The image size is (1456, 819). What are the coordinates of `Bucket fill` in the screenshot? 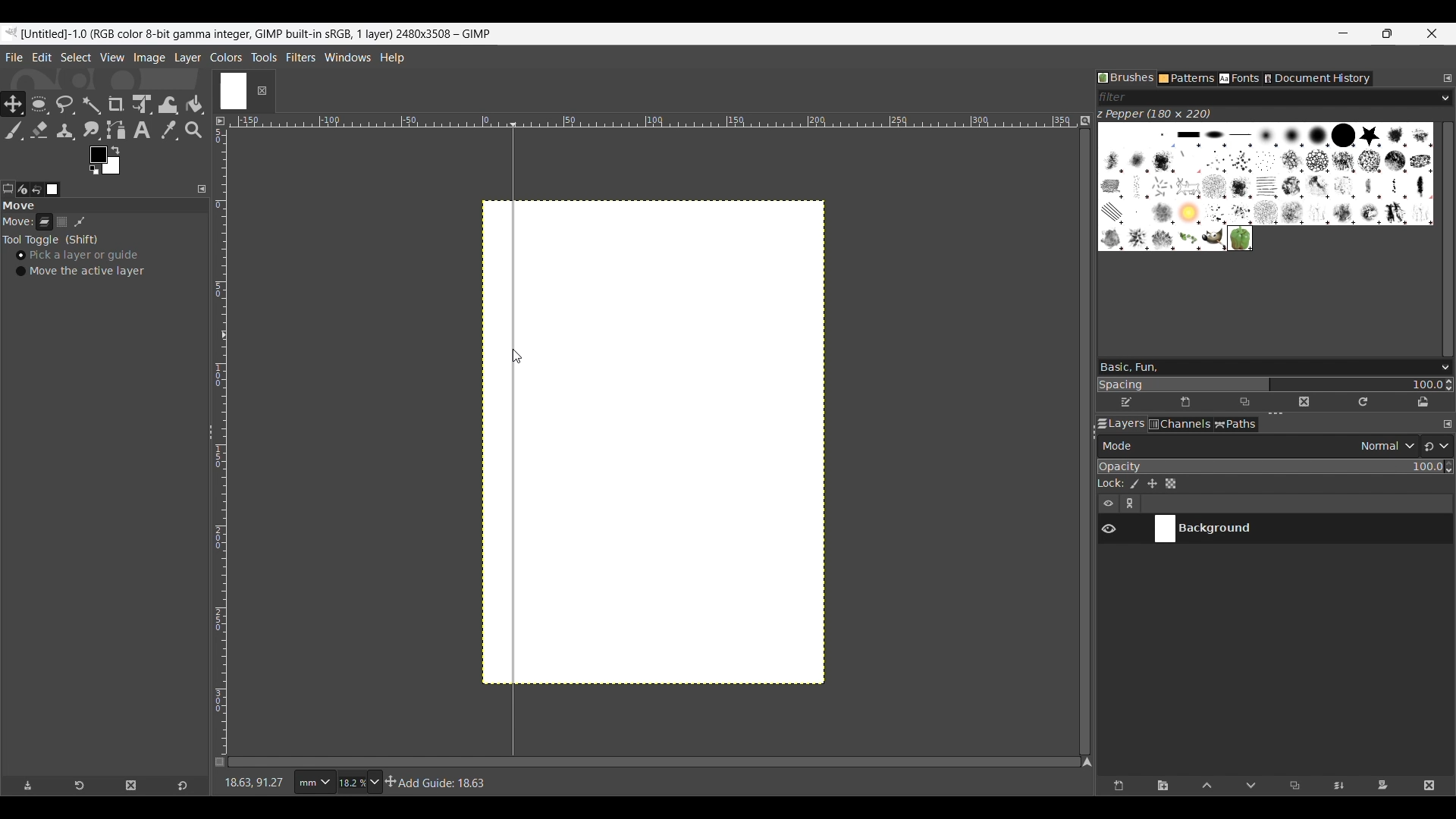 It's located at (195, 105).